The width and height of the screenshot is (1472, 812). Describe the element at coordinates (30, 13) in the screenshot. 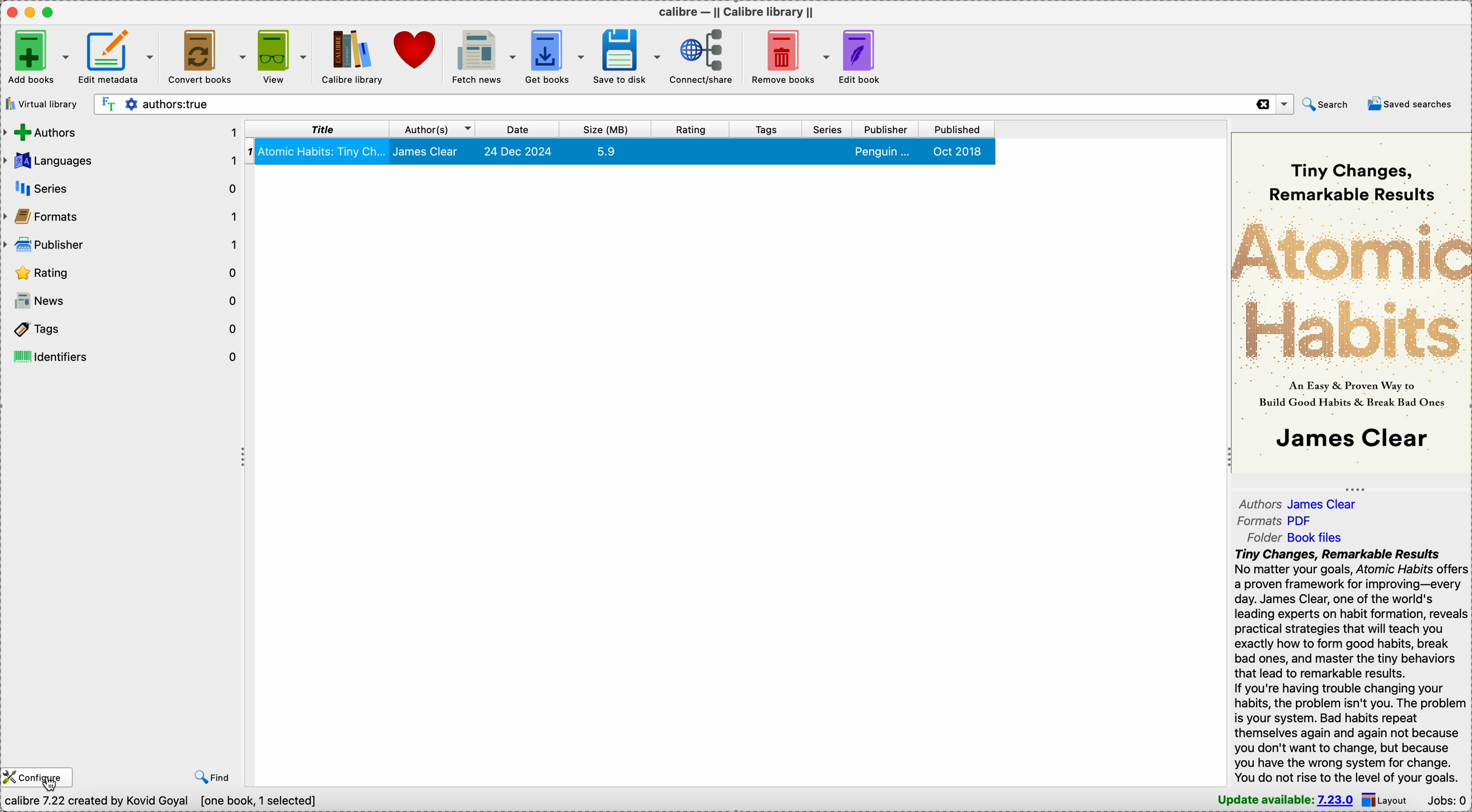

I see `minimize Calibre` at that location.